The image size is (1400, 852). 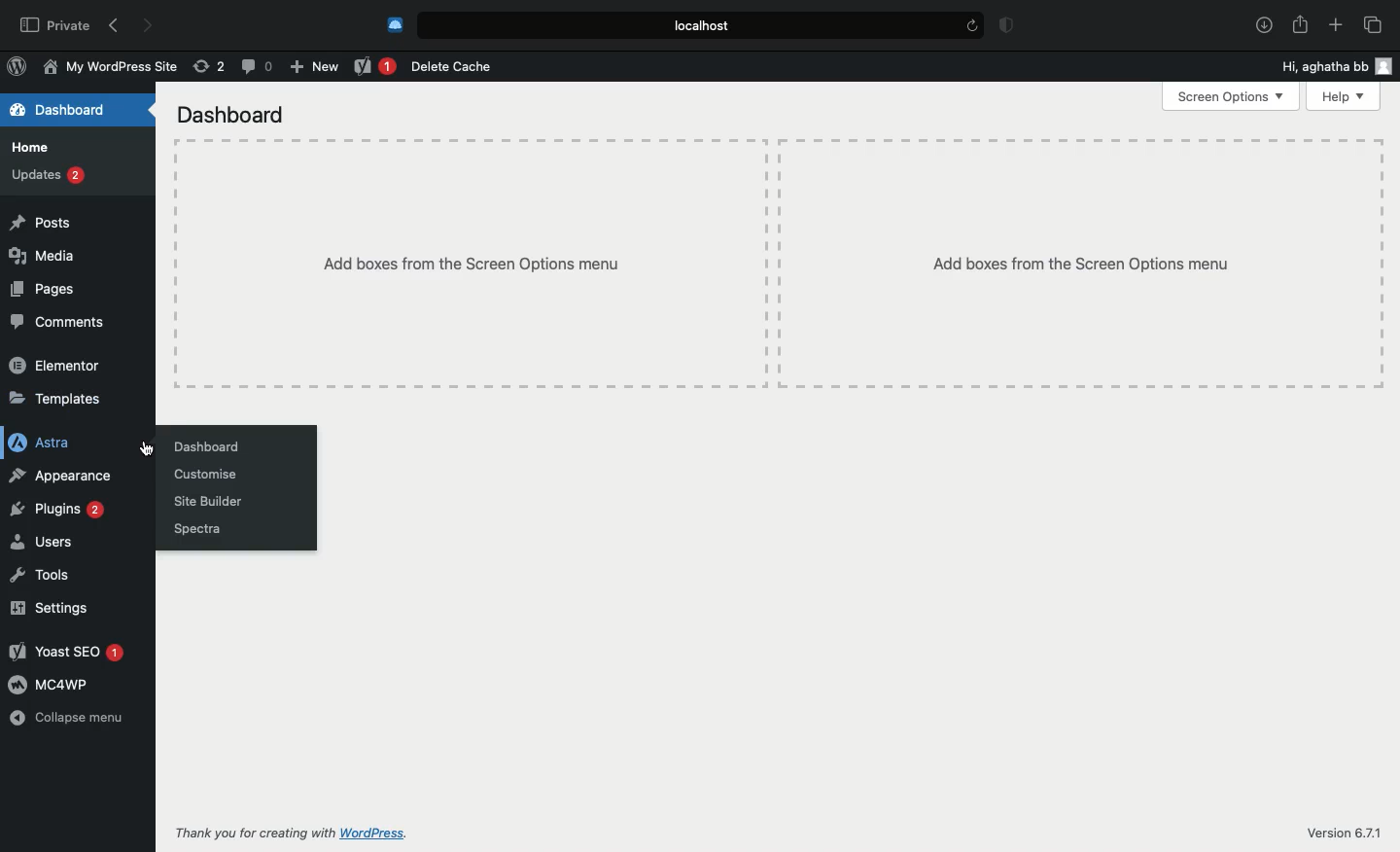 What do you see at coordinates (1265, 25) in the screenshot?
I see `Download` at bounding box center [1265, 25].